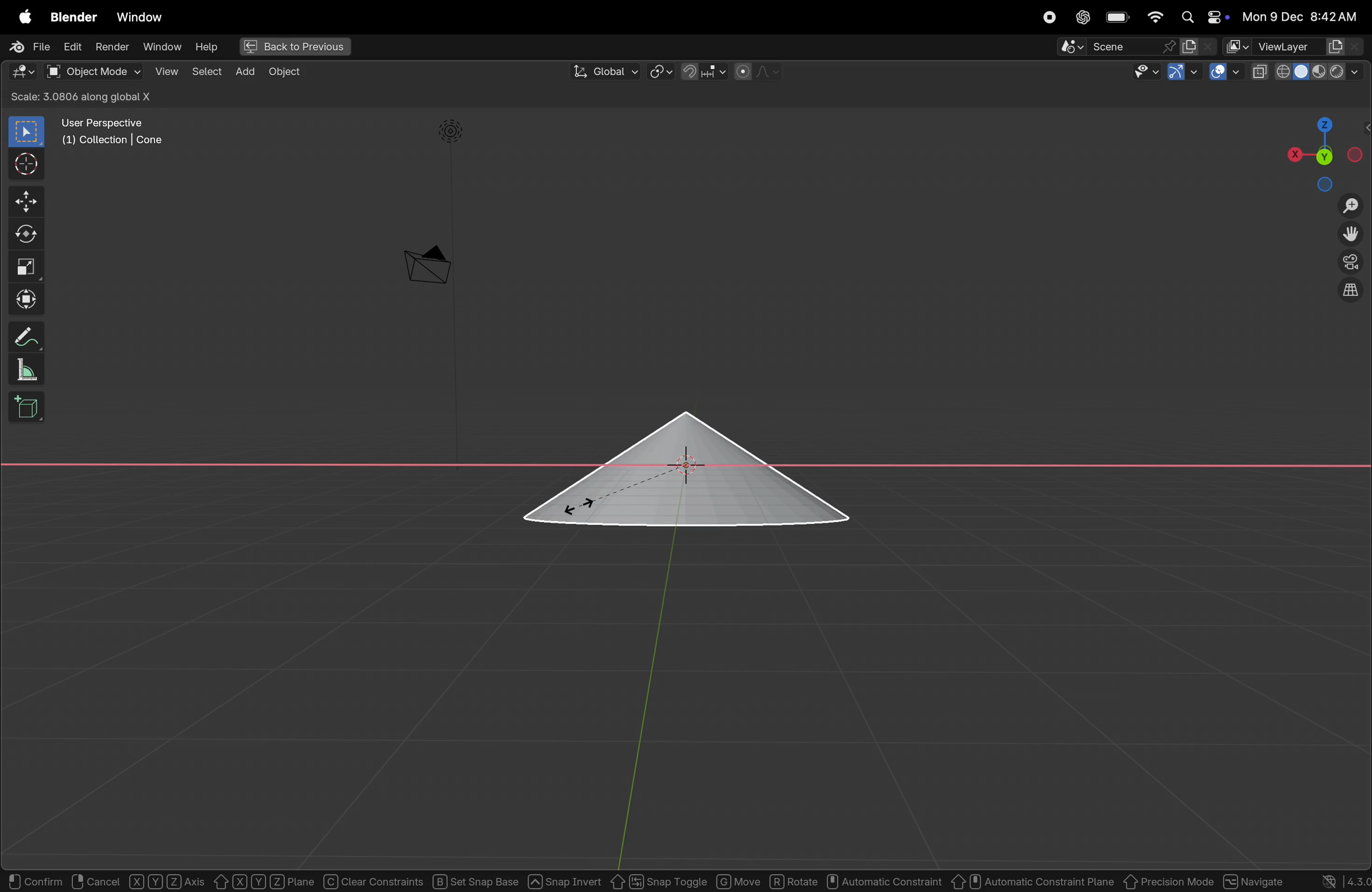 This screenshot has height=892, width=1372. Describe the element at coordinates (22, 336) in the screenshot. I see `annotate` at that location.